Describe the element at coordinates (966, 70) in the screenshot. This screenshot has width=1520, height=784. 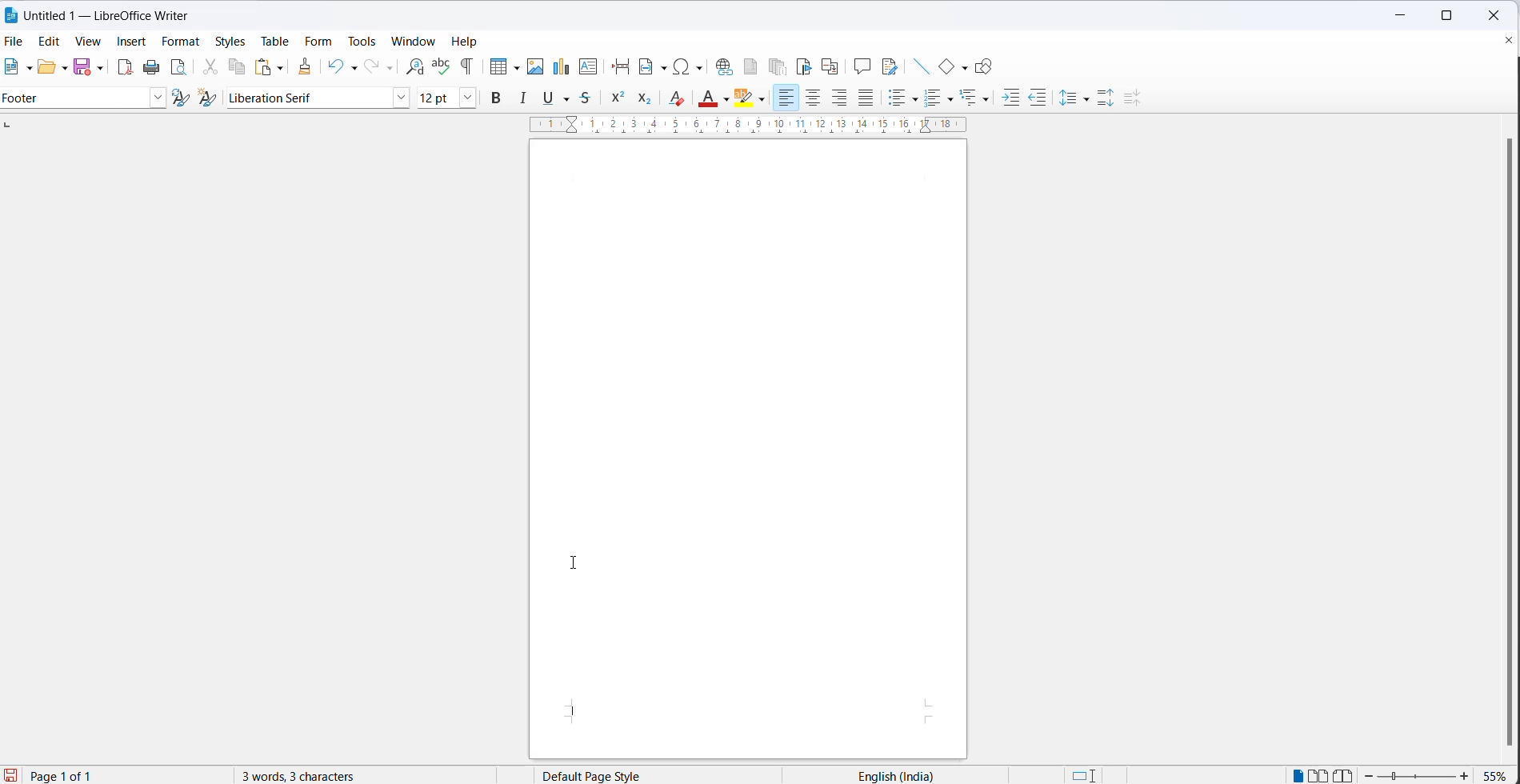
I see `basic shapes options` at that location.